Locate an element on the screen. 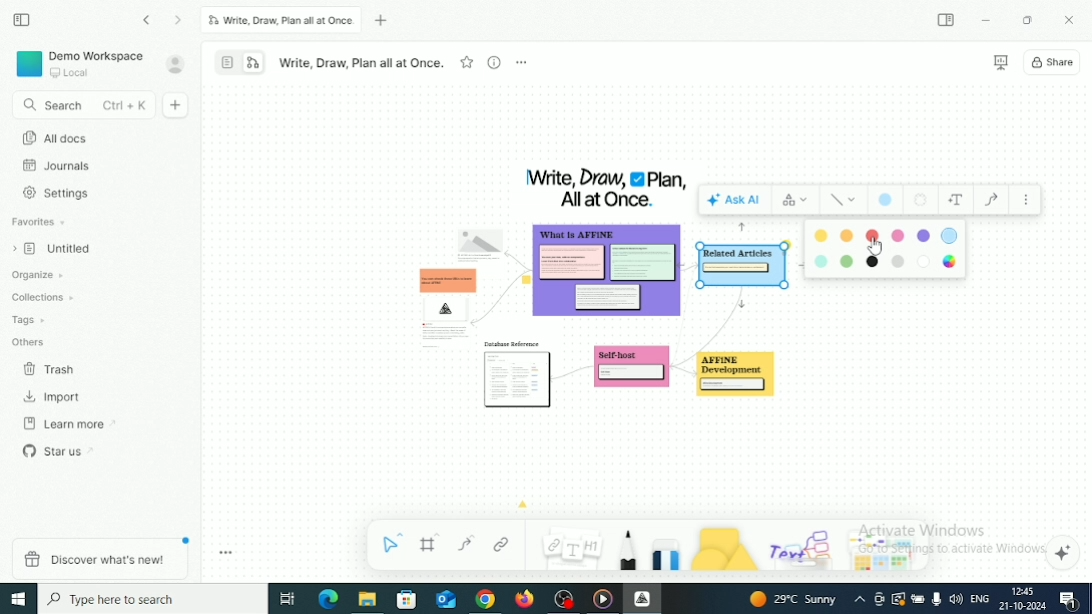 The width and height of the screenshot is (1092, 614). Cursor is located at coordinates (875, 248).